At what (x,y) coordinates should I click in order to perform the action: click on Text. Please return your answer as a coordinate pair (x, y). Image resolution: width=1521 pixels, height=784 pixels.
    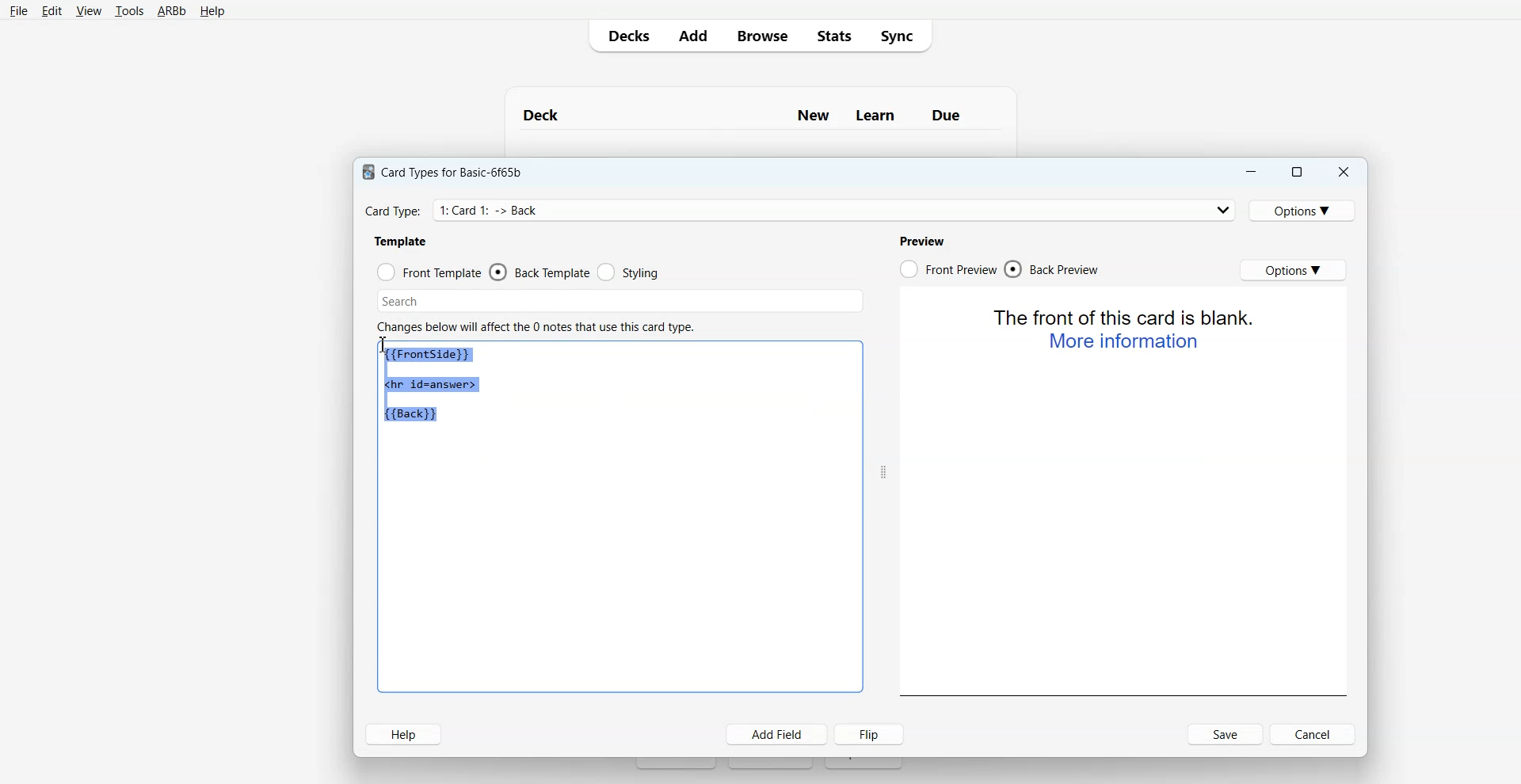
    Looking at the image, I should click on (760, 108).